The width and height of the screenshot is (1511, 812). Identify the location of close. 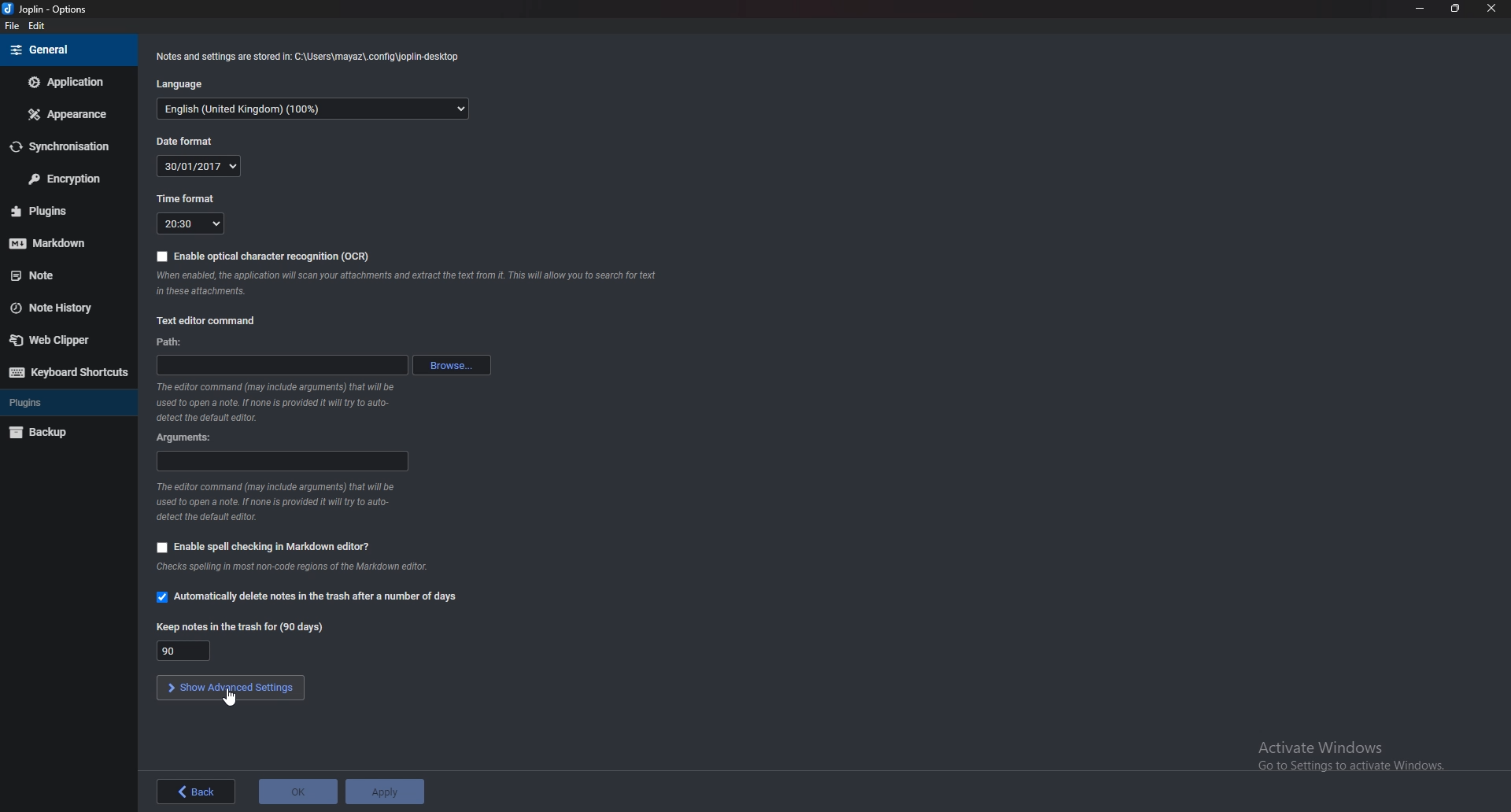
(1486, 10).